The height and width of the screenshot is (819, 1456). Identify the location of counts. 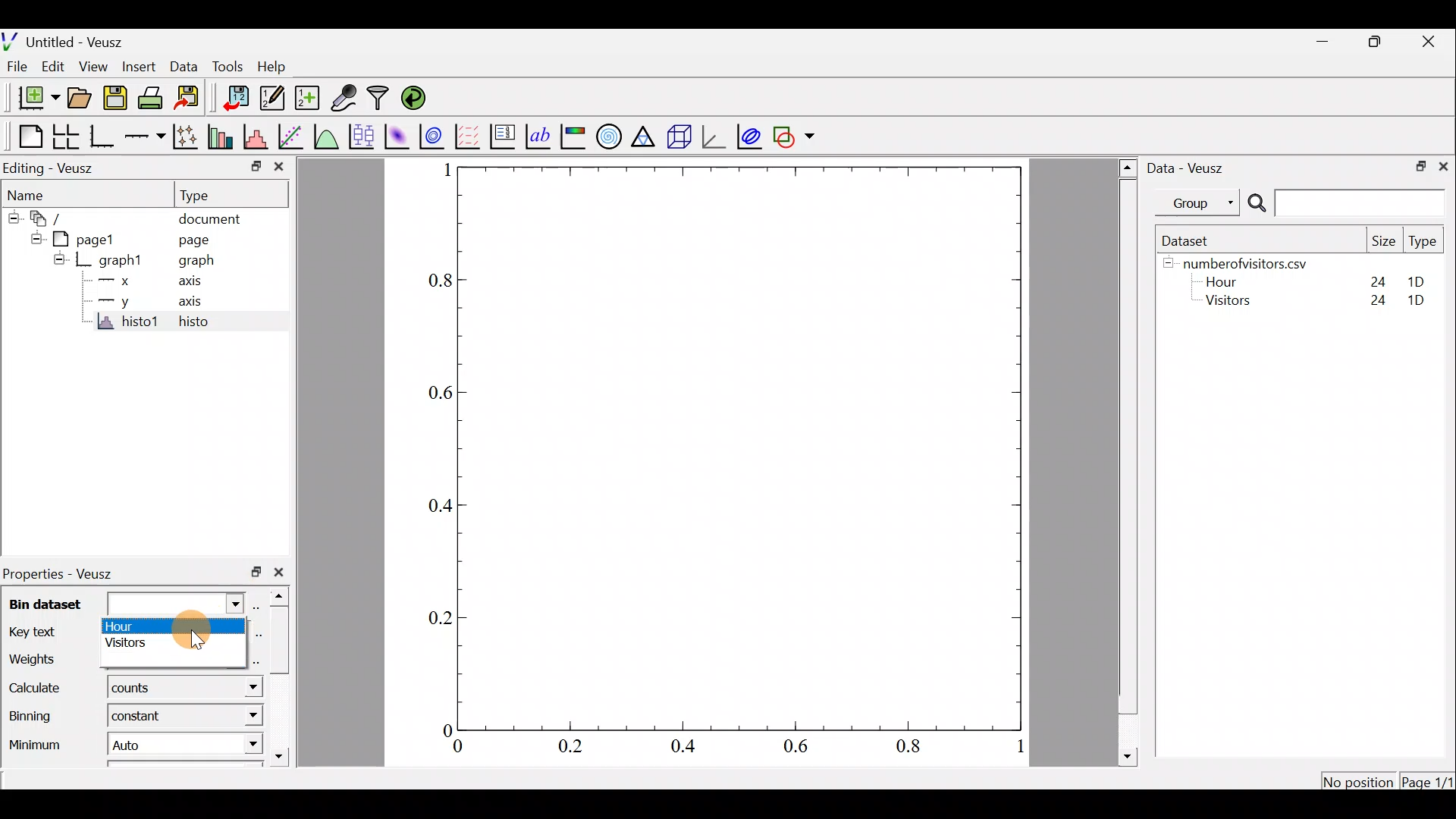
(136, 690).